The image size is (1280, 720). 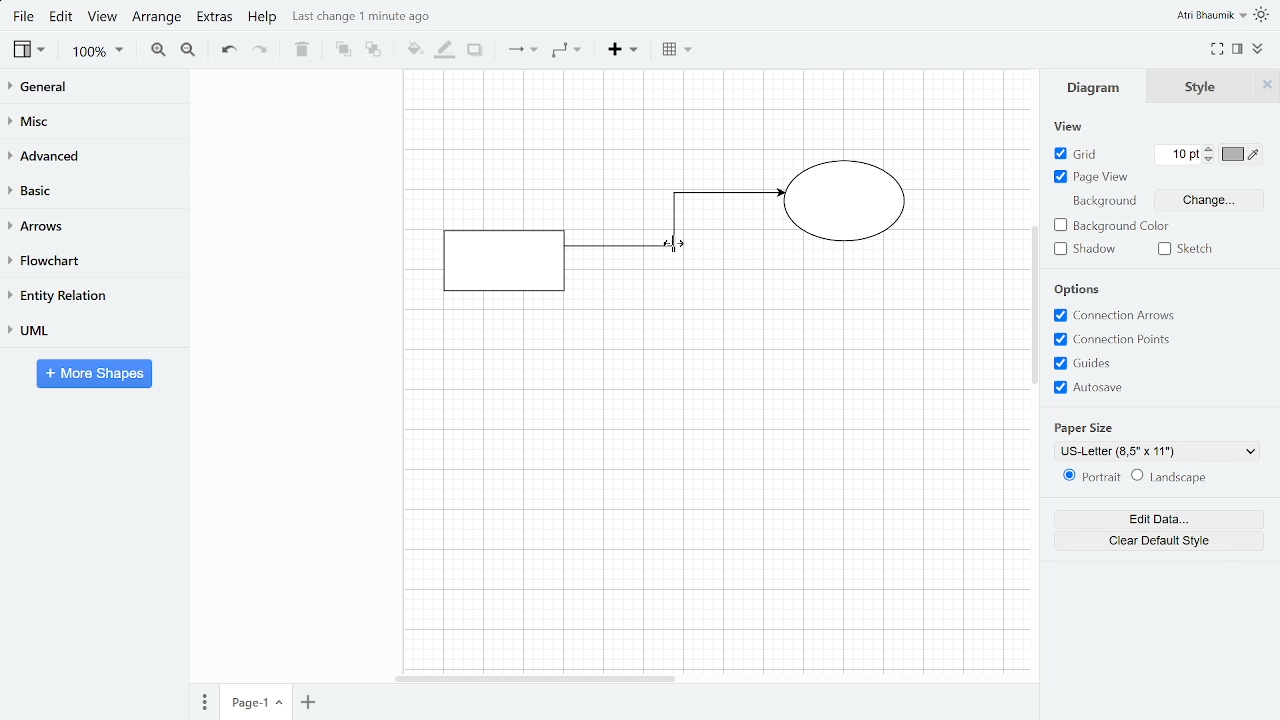 I want to click on Change background, so click(x=1210, y=200).